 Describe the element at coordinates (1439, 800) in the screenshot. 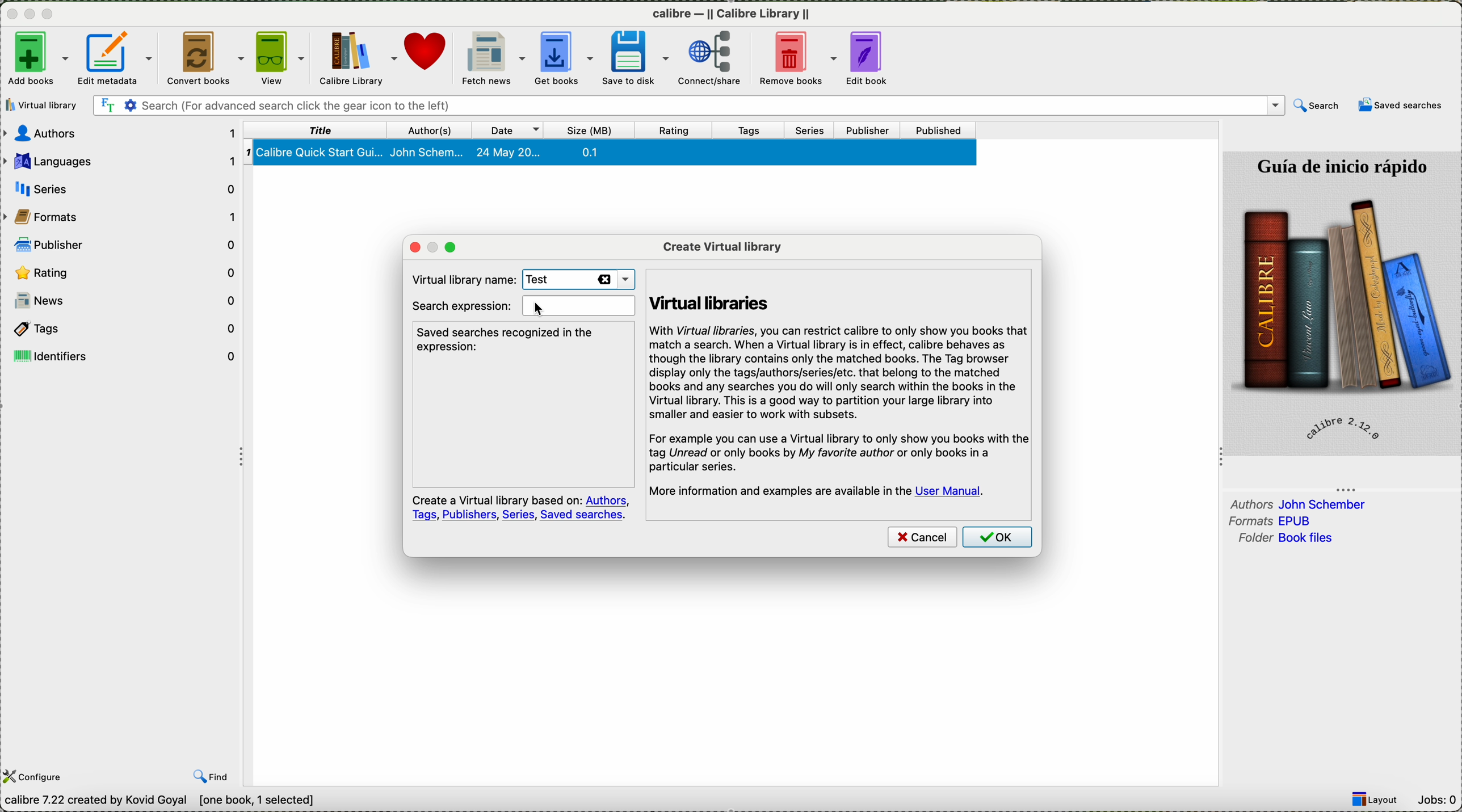

I see `Jobs: 0` at that location.